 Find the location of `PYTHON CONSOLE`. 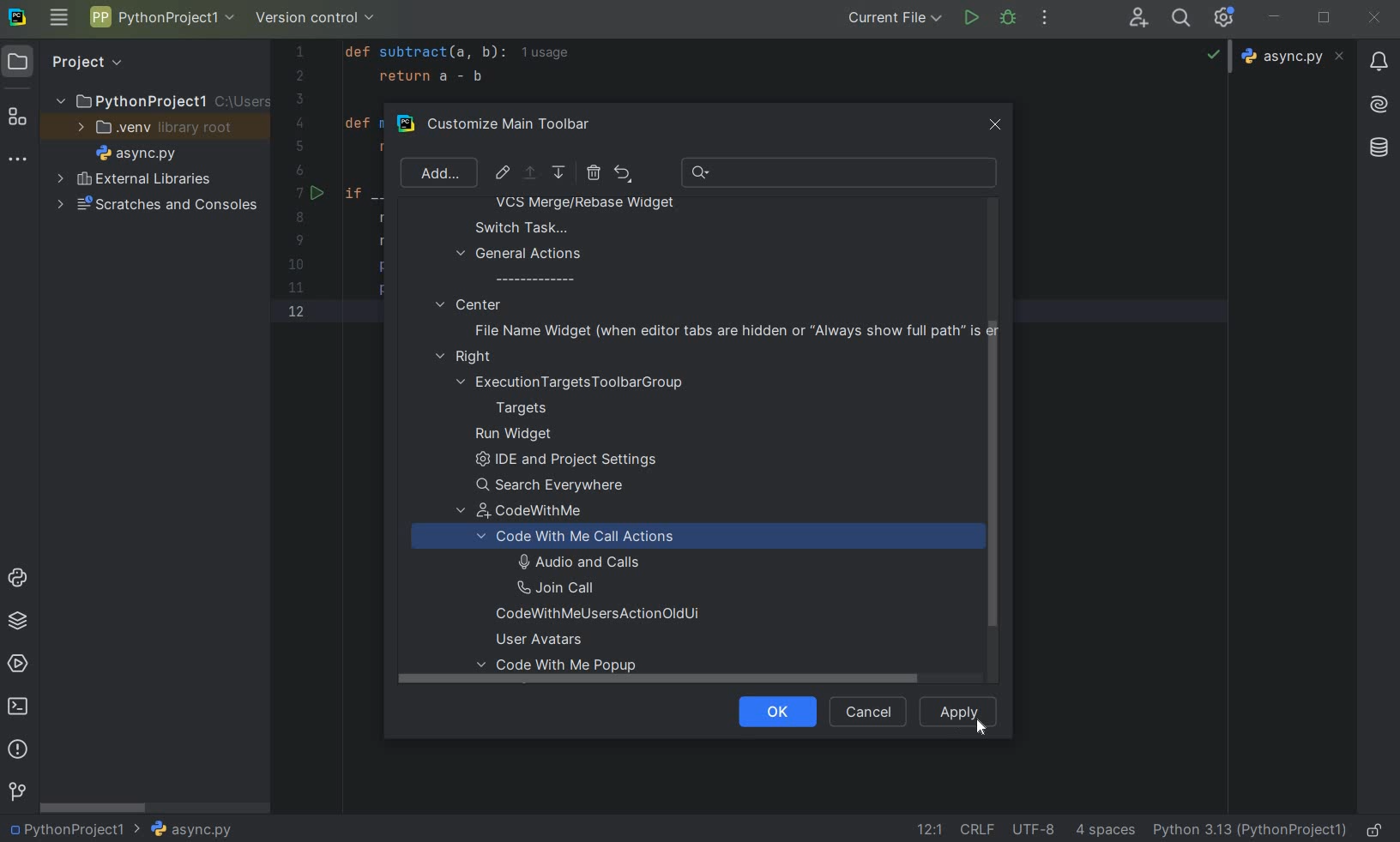

PYTHON CONSOLE is located at coordinates (20, 581).